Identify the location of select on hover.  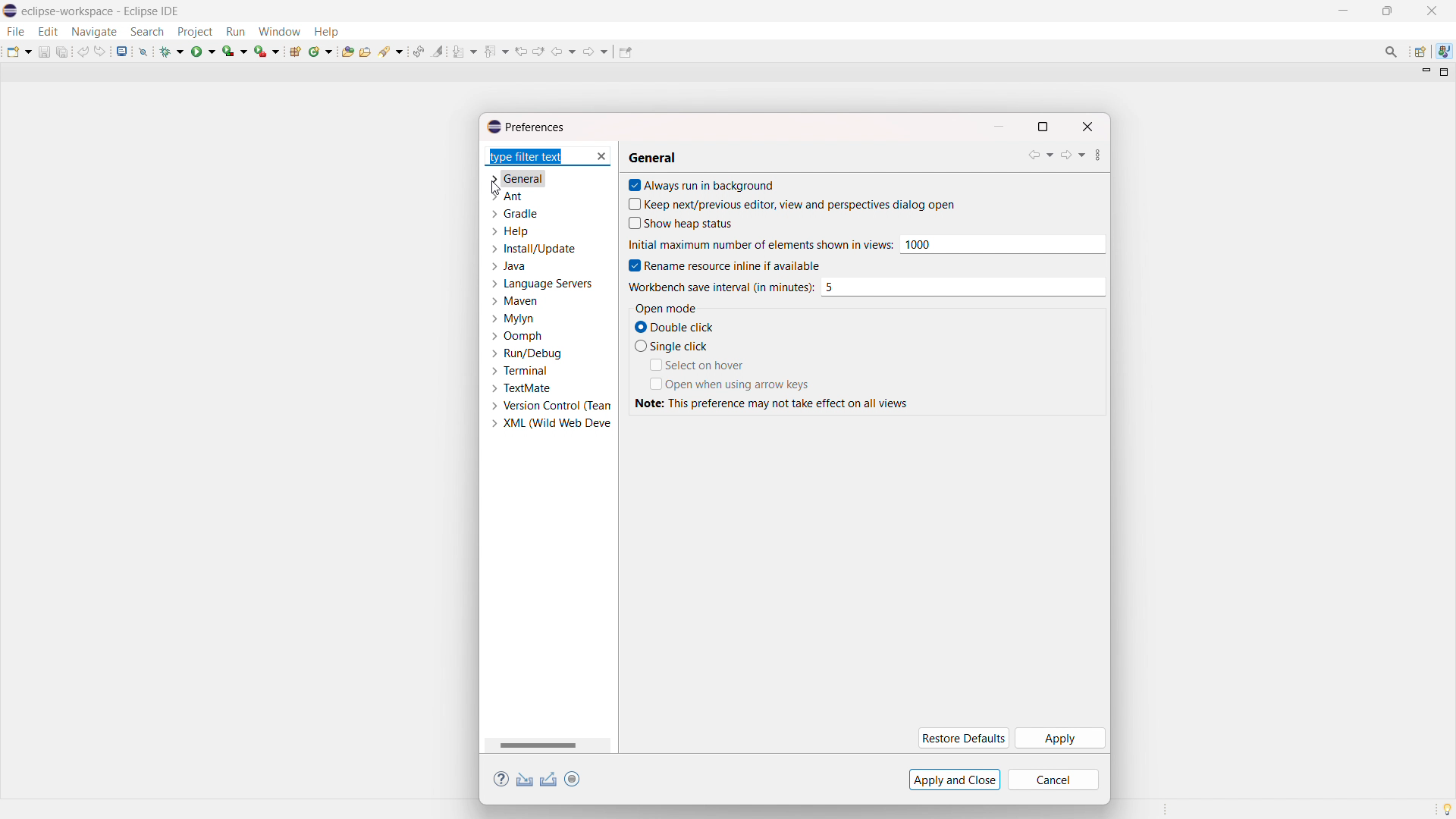
(705, 365).